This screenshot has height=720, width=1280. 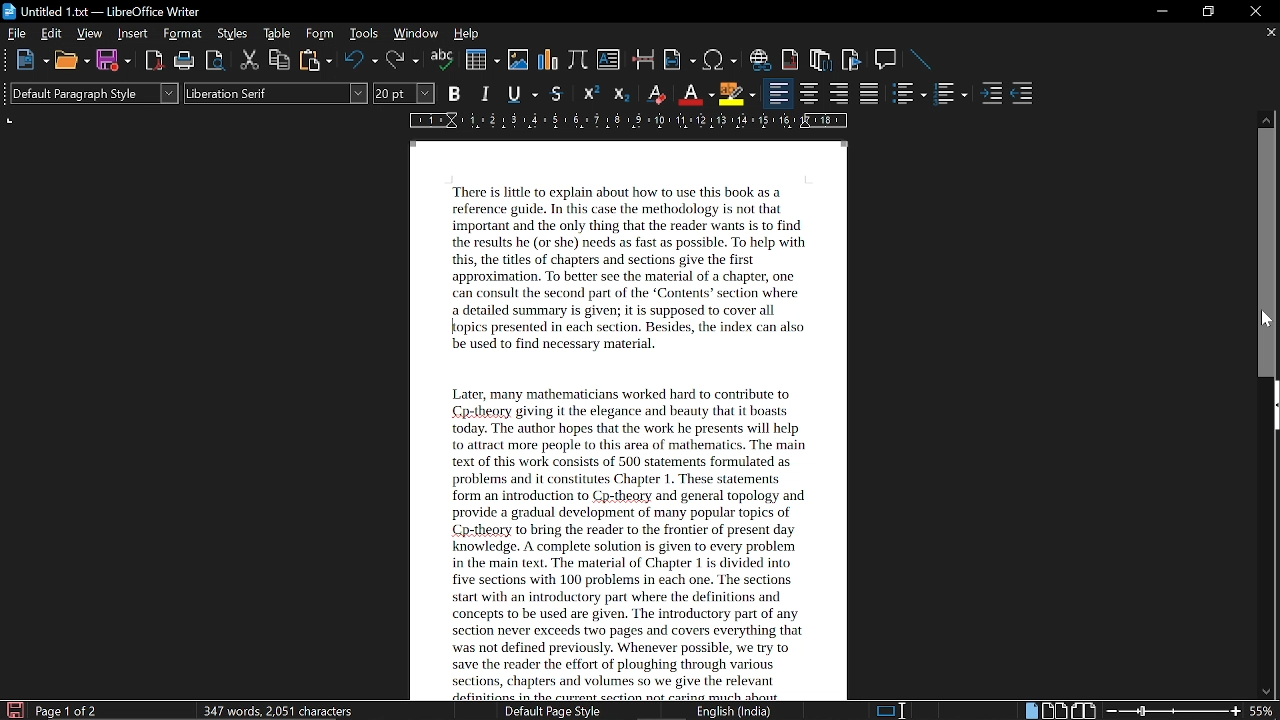 What do you see at coordinates (518, 62) in the screenshot?
I see `insert image` at bounding box center [518, 62].